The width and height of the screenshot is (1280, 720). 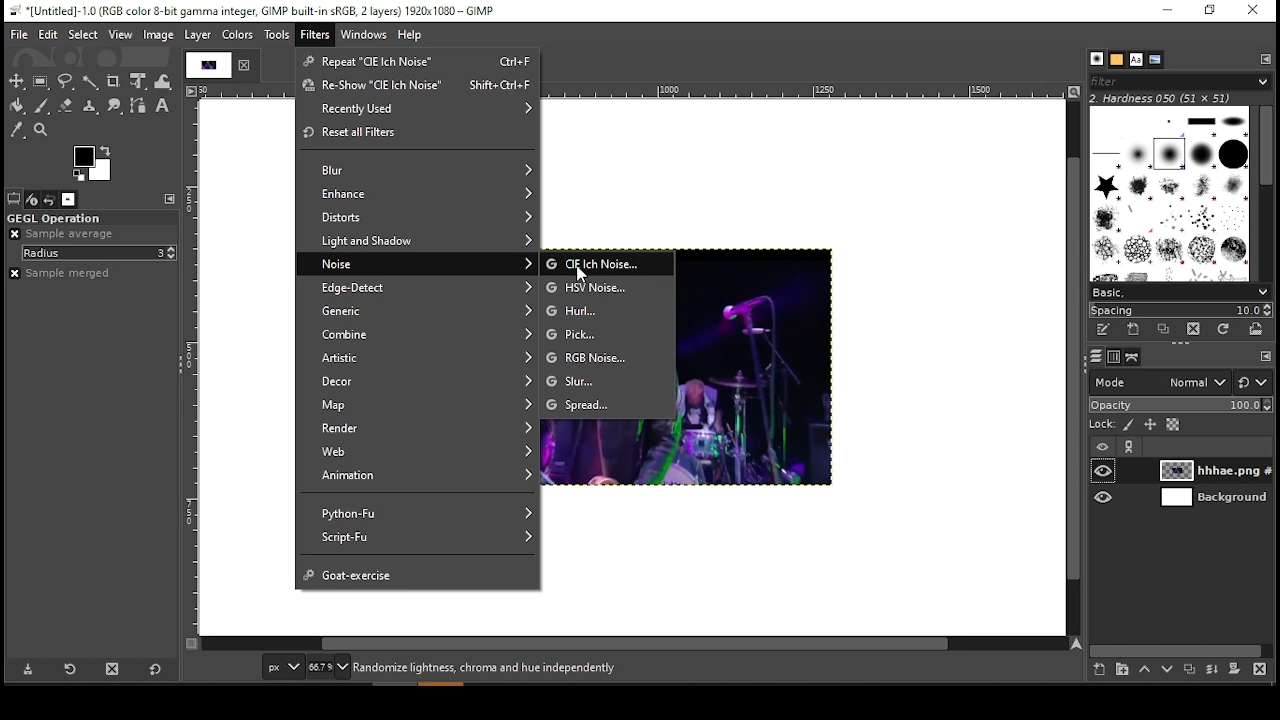 I want to click on slur, so click(x=608, y=382).